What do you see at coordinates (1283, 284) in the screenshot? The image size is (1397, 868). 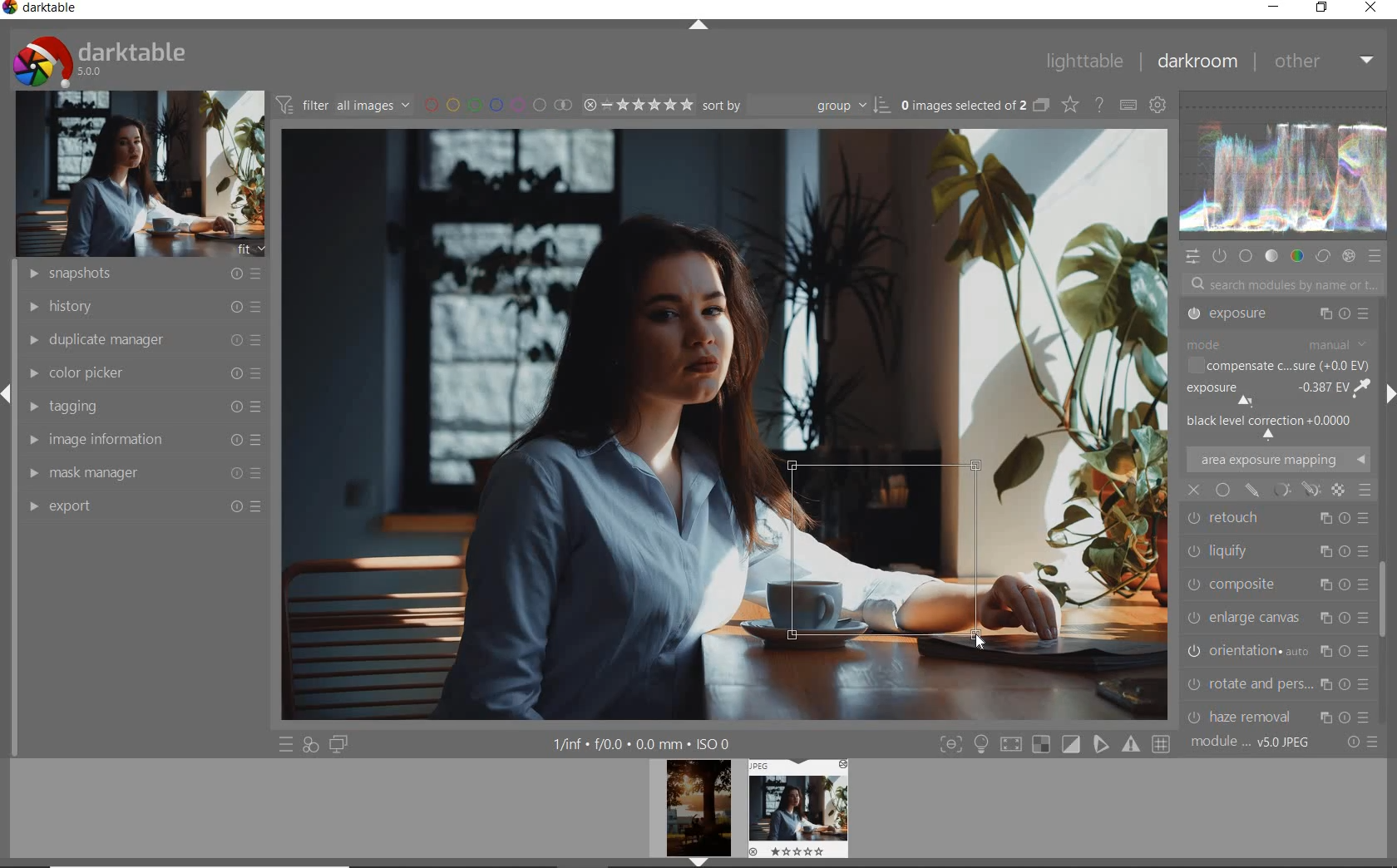 I see `SEARCH MODULES` at bounding box center [1283, 284].